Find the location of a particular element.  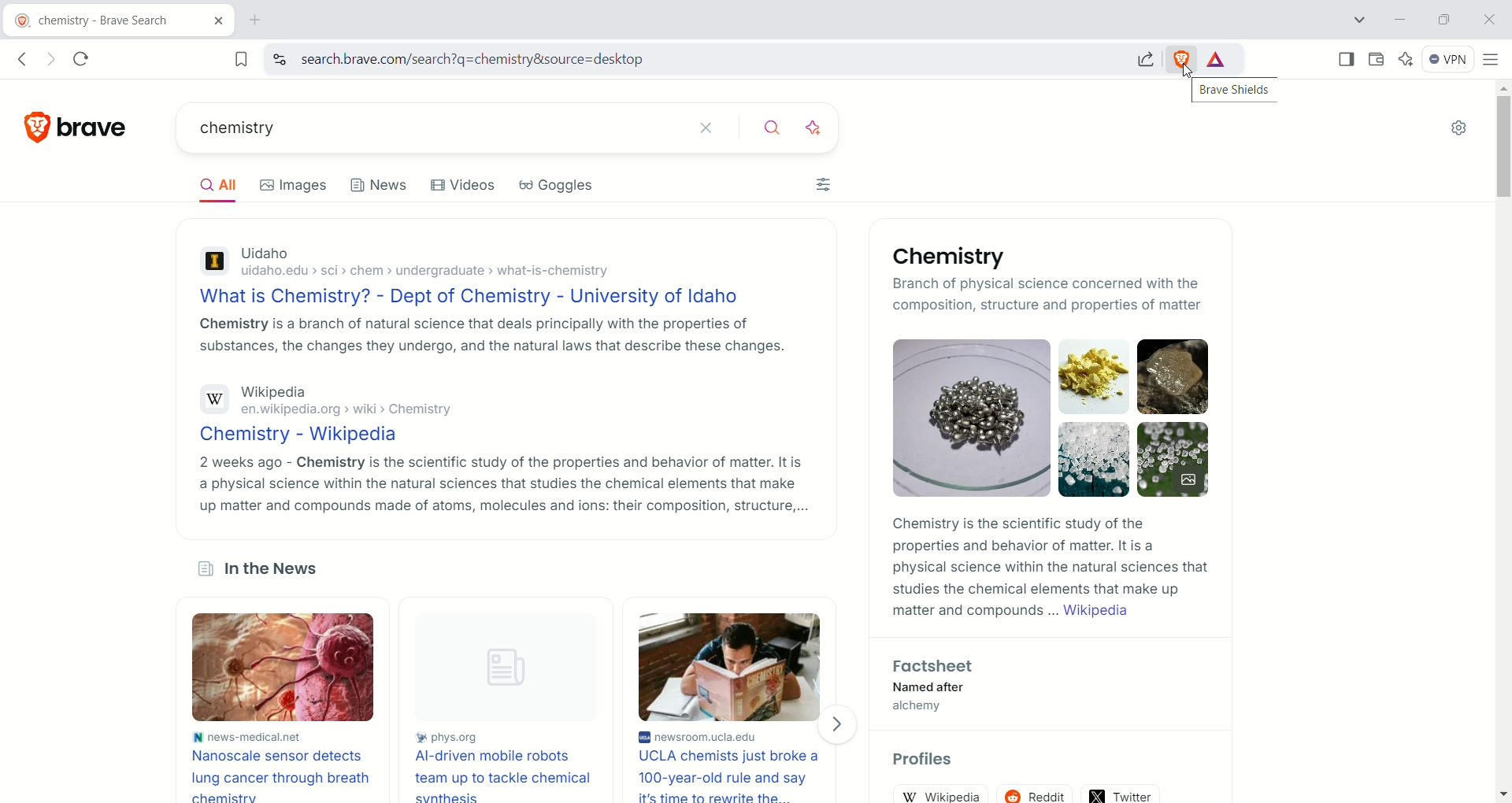

reload is located at coordinates (87, 58).